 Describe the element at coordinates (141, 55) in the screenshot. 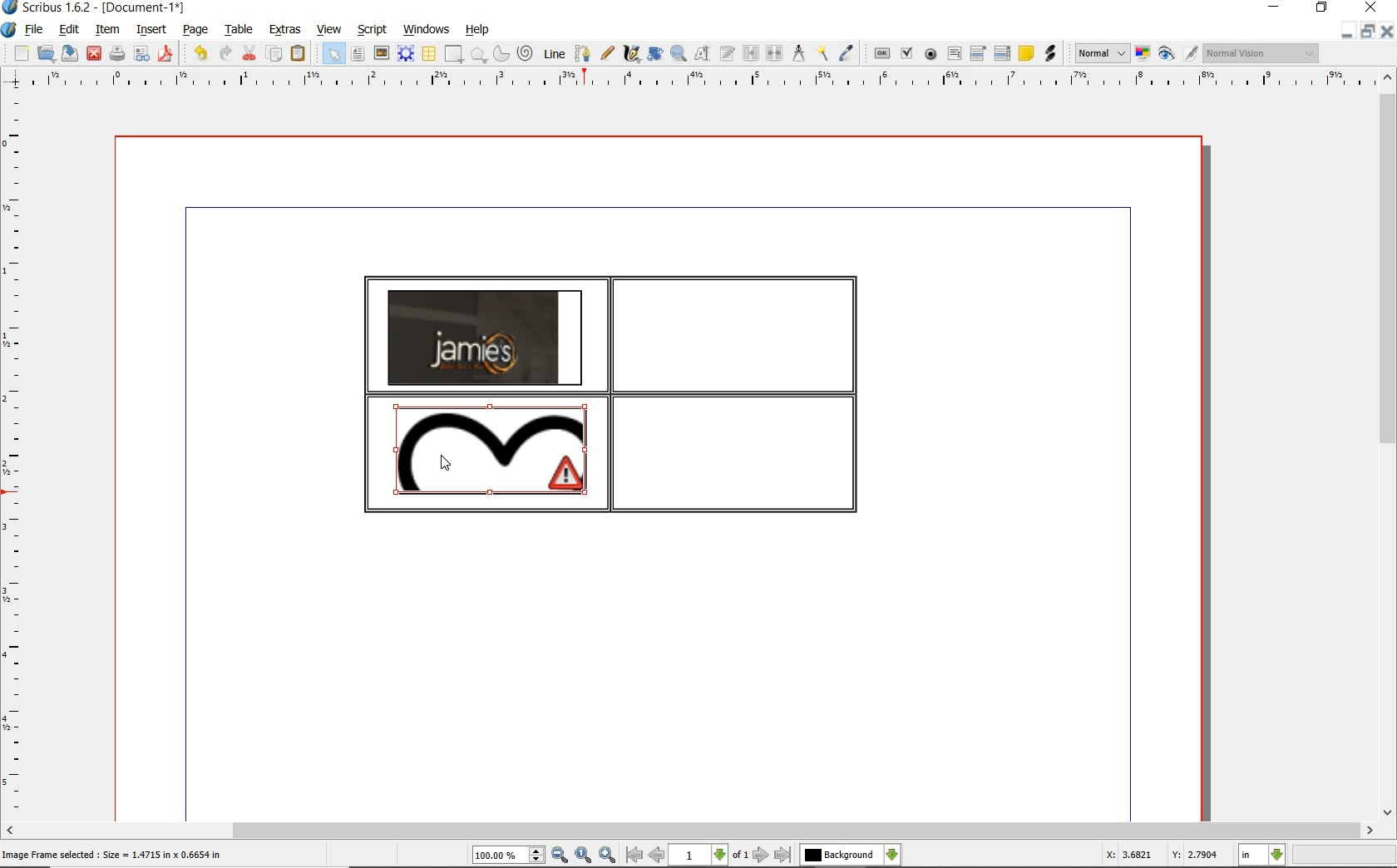

I see `preflight verifier` at that location.